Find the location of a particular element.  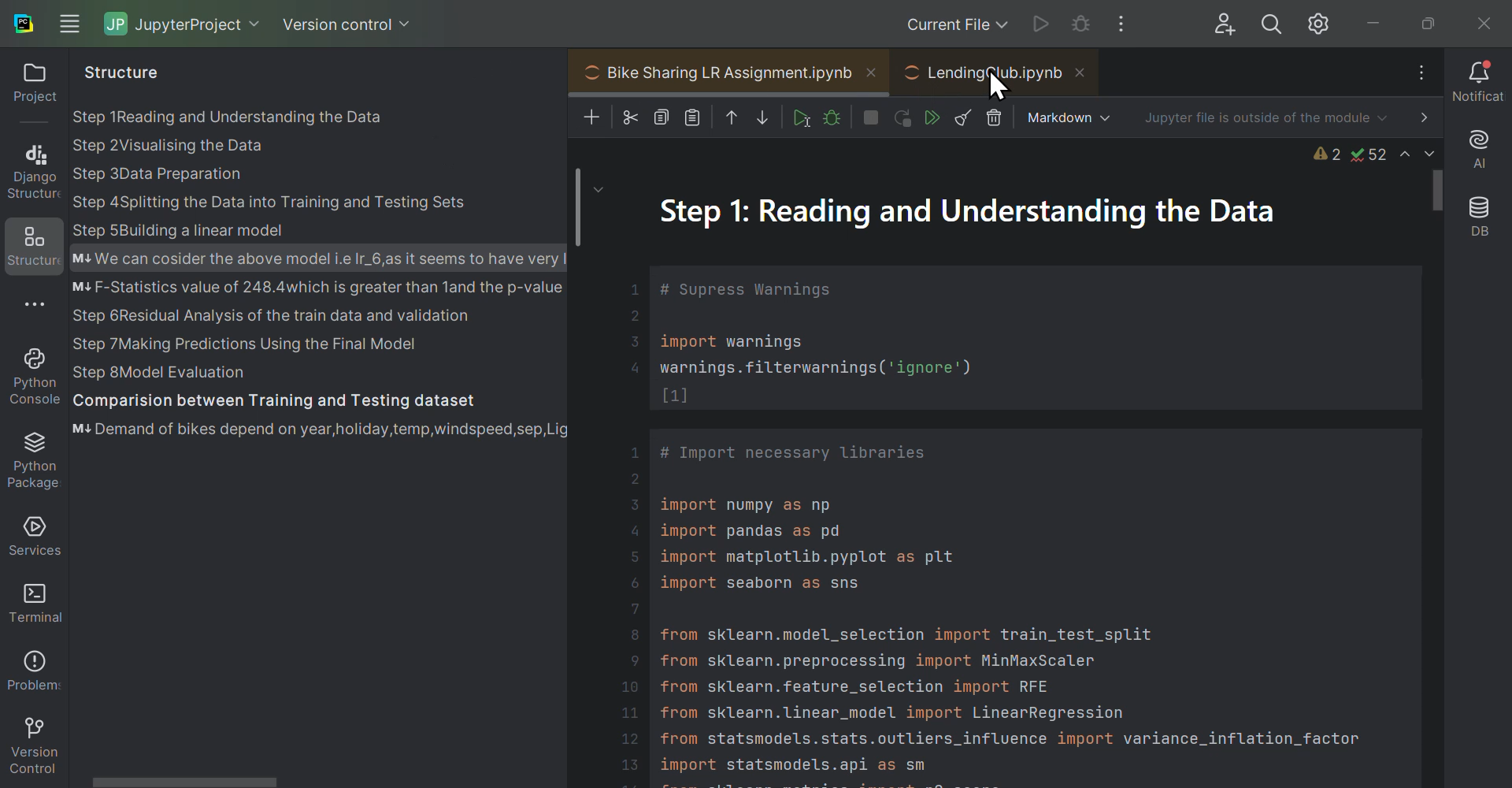

Jupiter file is outside of the module is located at coordinates (1278, 117).